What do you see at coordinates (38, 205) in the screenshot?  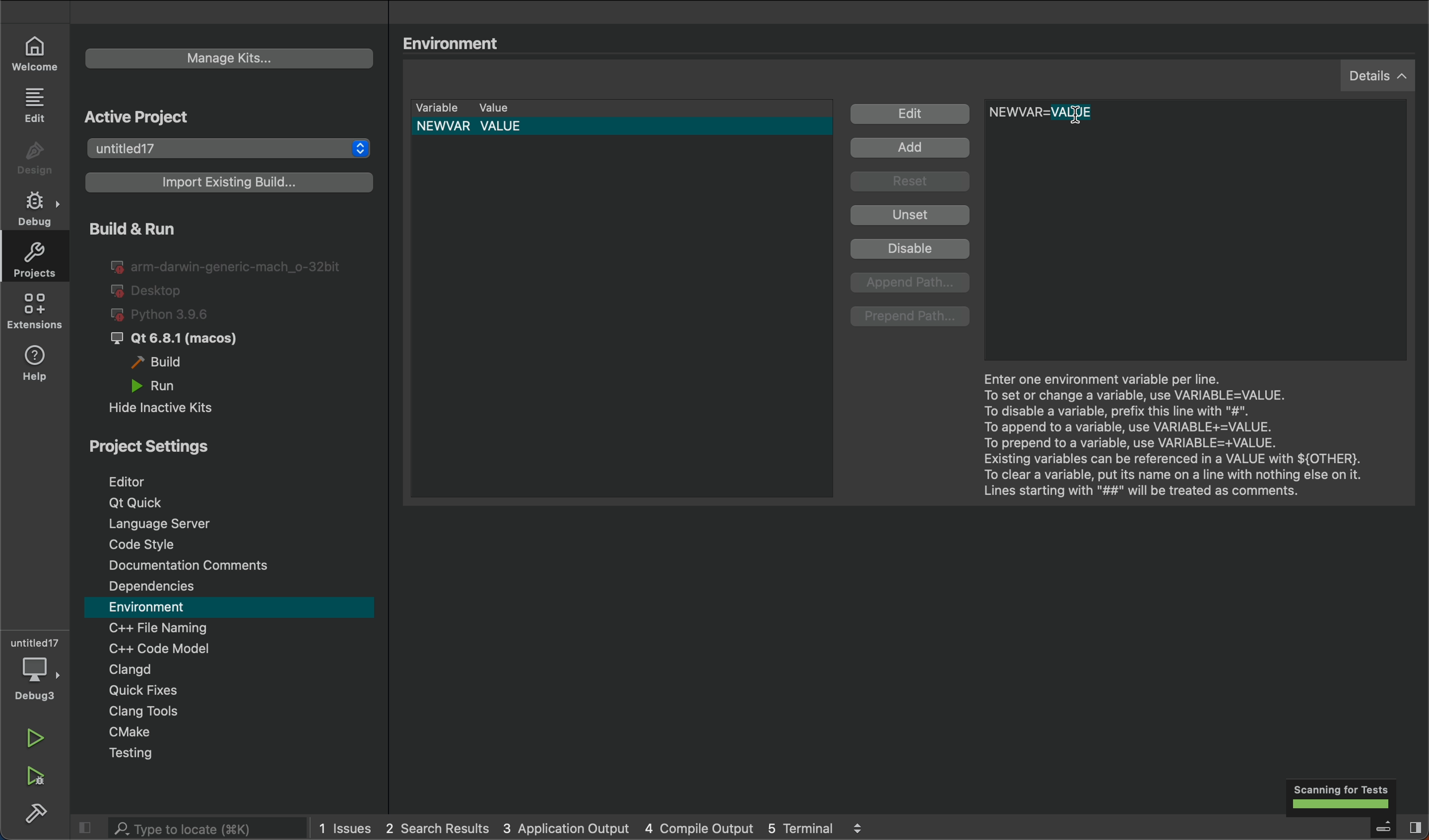 I see `debug` at bounding box center [38, 205].